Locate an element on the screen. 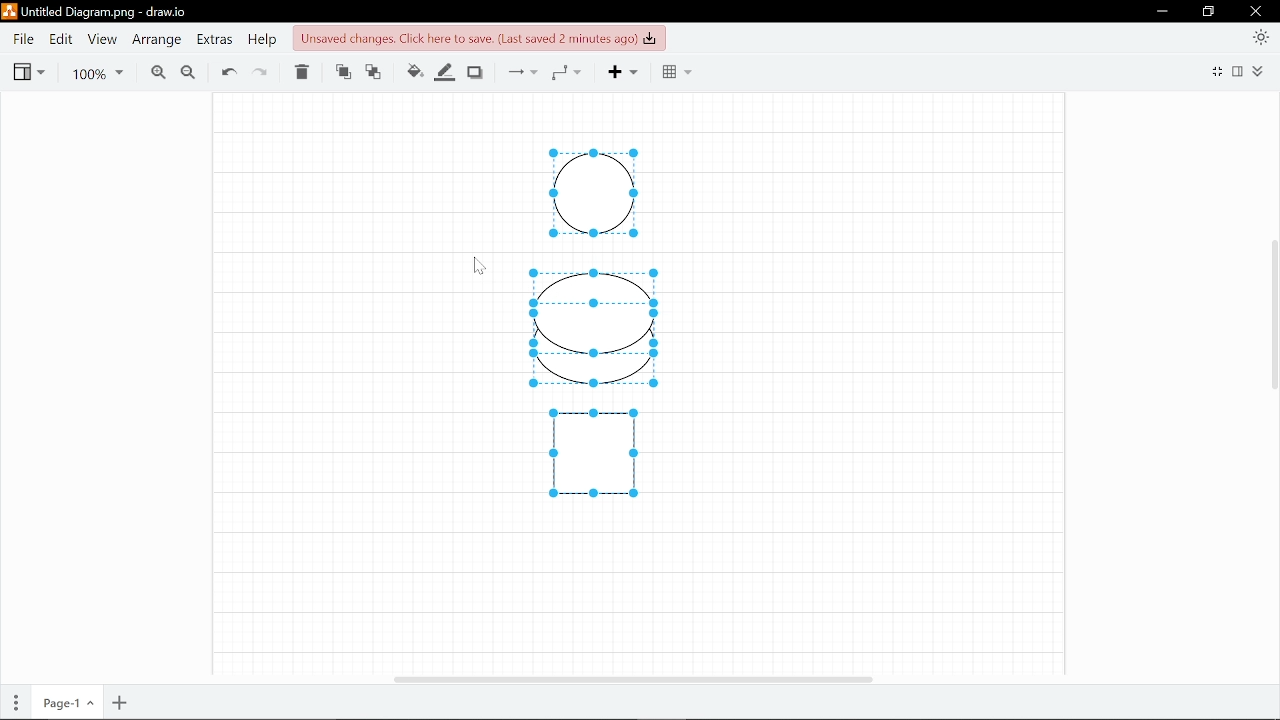  Table is located at coordinates (676, 72).